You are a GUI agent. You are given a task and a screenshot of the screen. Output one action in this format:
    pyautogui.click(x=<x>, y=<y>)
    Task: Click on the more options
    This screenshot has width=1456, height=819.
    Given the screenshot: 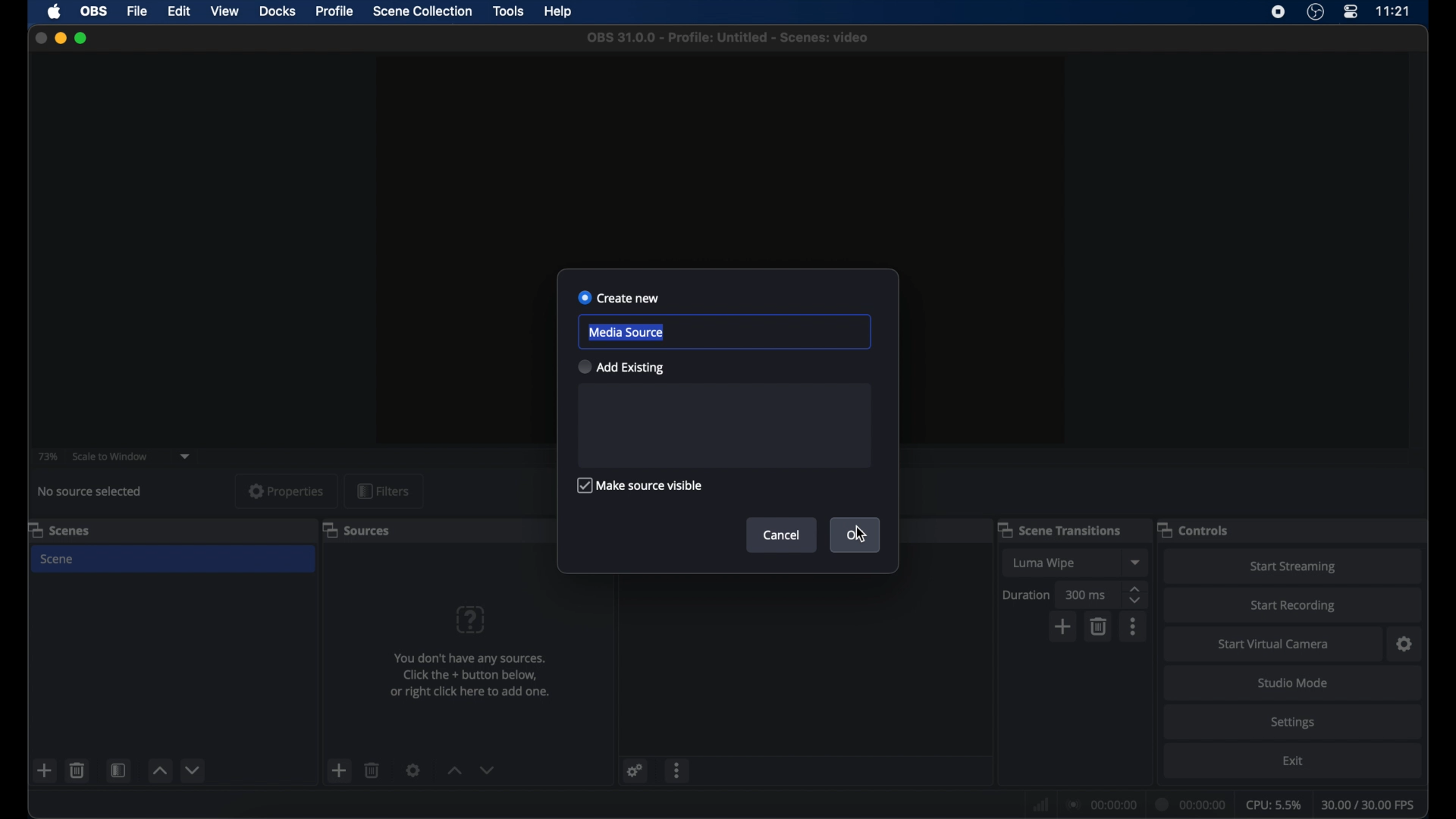 What is the action you would take?
    pyautogui.click(x=1133, y=626)
    